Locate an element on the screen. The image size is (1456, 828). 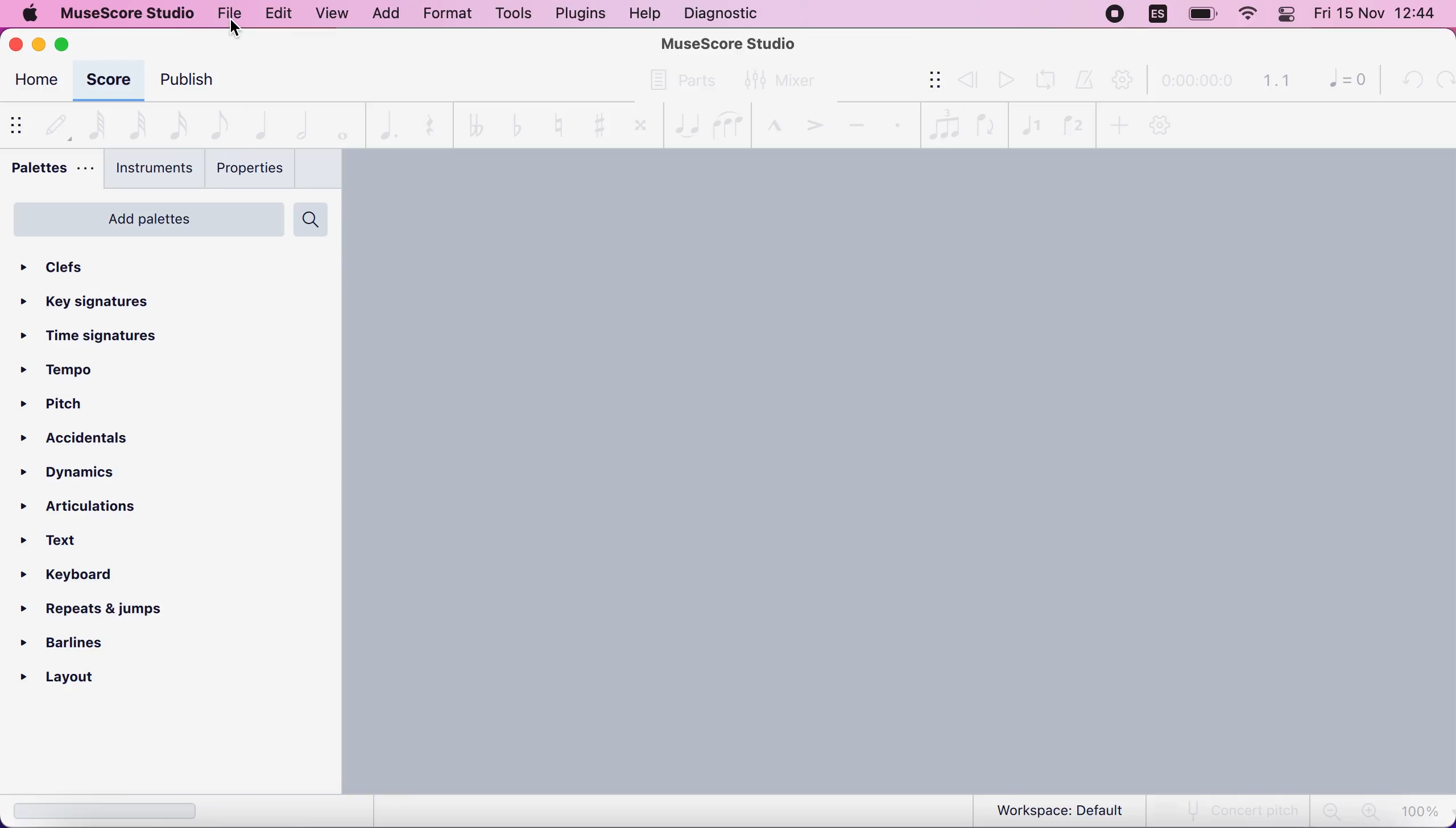
accent is located at coordinates (812, 122).